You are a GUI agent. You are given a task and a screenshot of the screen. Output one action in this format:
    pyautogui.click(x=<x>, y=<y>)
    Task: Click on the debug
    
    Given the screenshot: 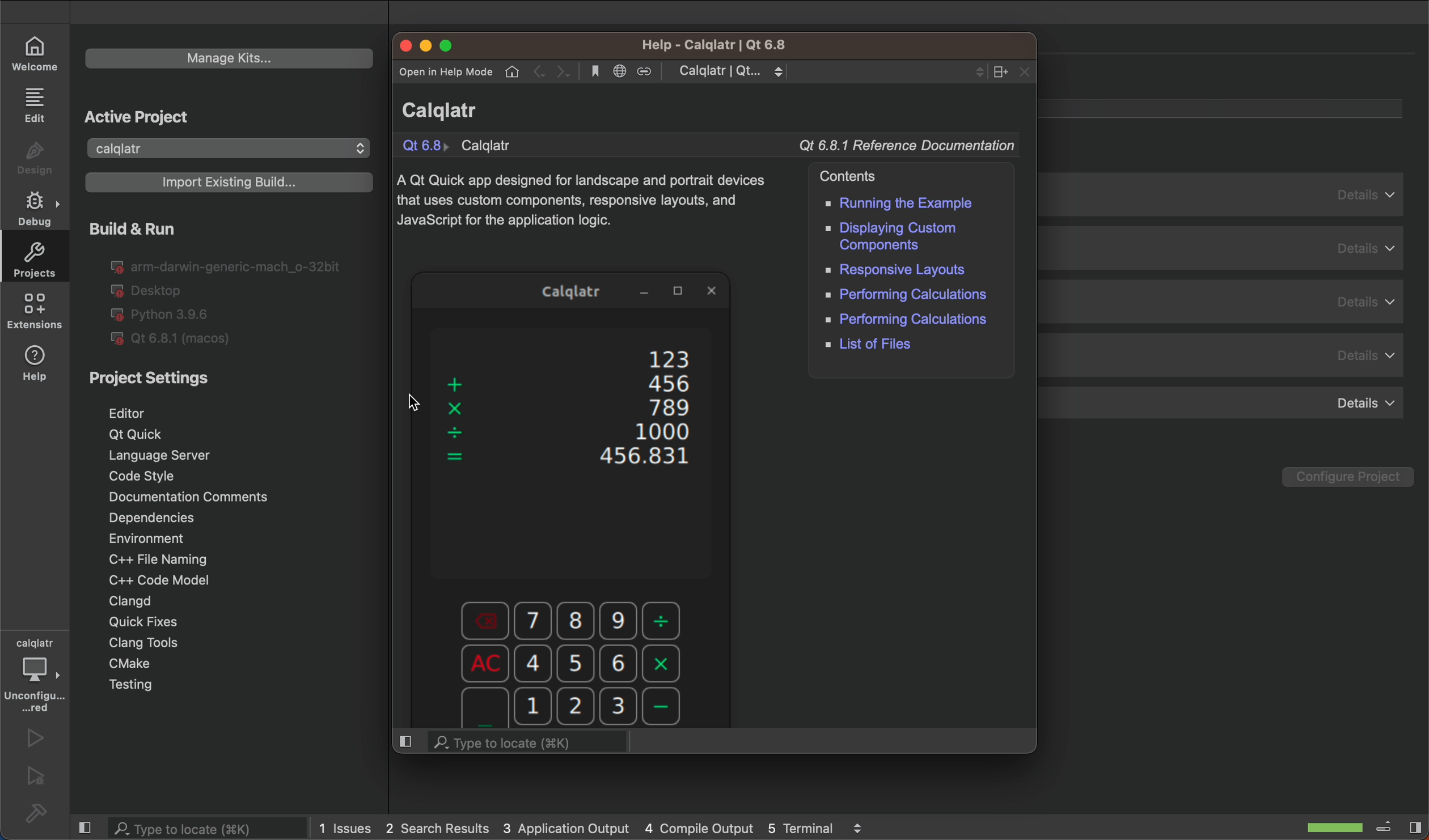 What is the action you would take?
    pyautogui.click(x=37, y=209)
    